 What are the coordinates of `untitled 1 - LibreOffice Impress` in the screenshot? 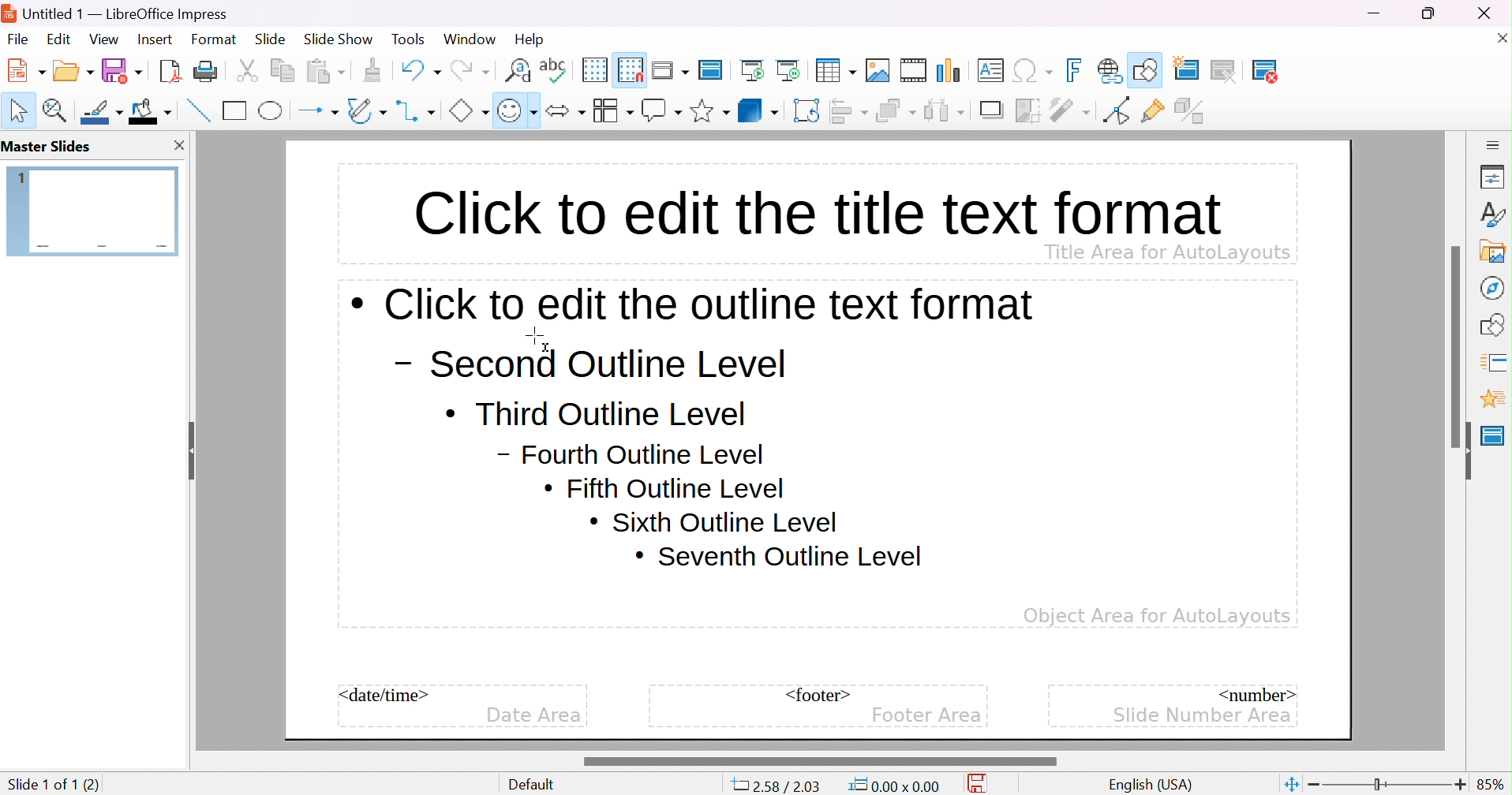 It's located at (116, 12).